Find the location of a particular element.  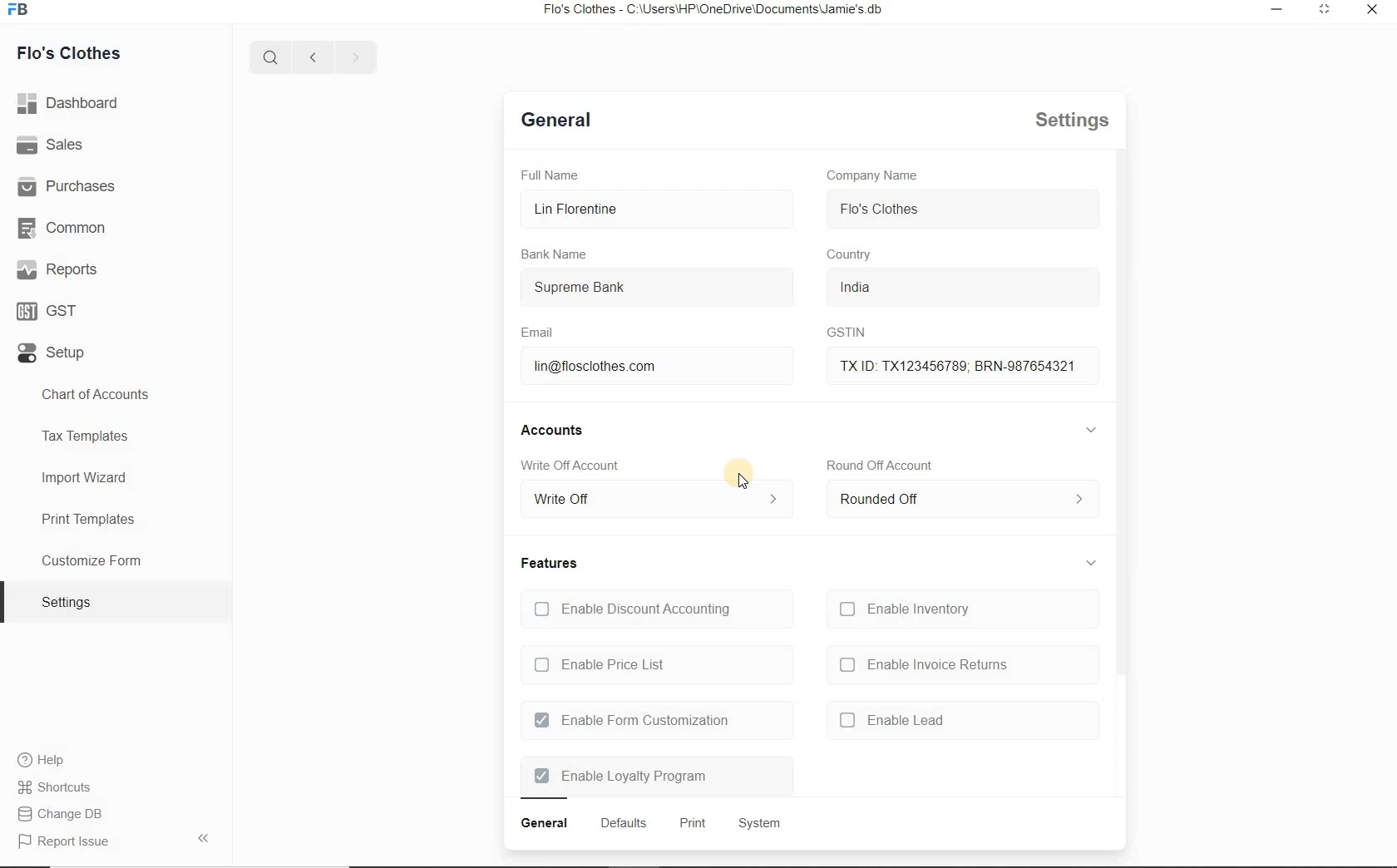

System is located at coordinates (763, 824).